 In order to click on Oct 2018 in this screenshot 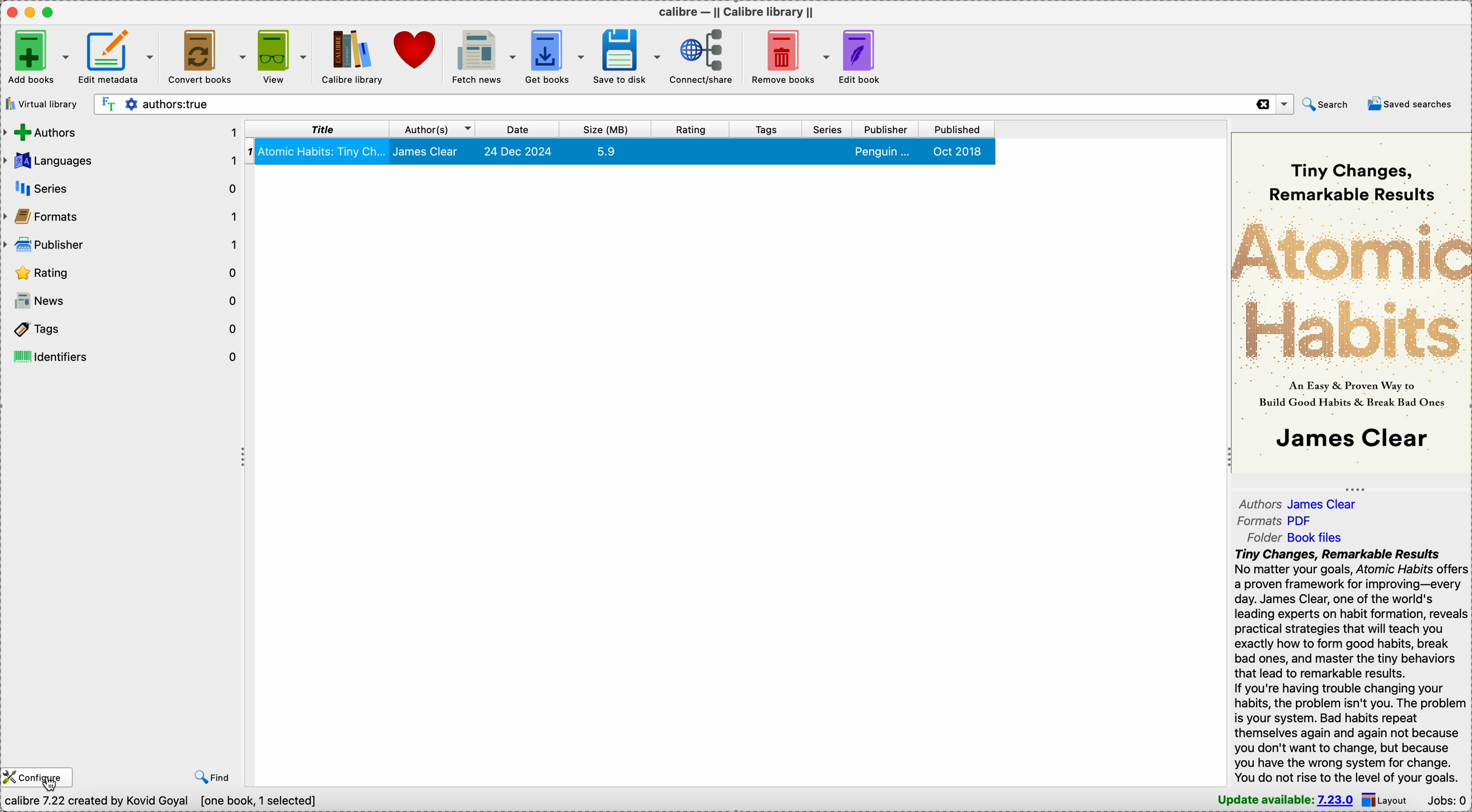, I will do `click(959, 151)`.